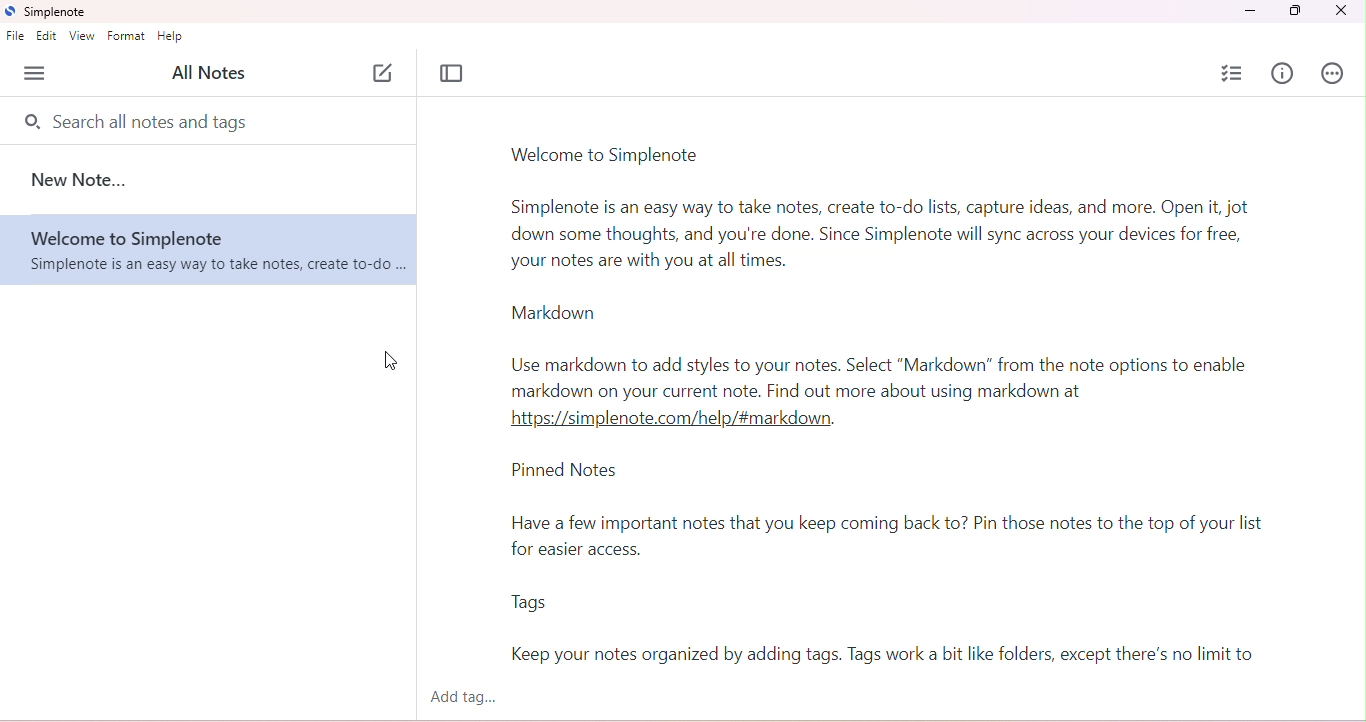  What do you see at coordinates (898, 538) in the screenshot?
I see `text on pinned notes` at bounding box center [898, 538].